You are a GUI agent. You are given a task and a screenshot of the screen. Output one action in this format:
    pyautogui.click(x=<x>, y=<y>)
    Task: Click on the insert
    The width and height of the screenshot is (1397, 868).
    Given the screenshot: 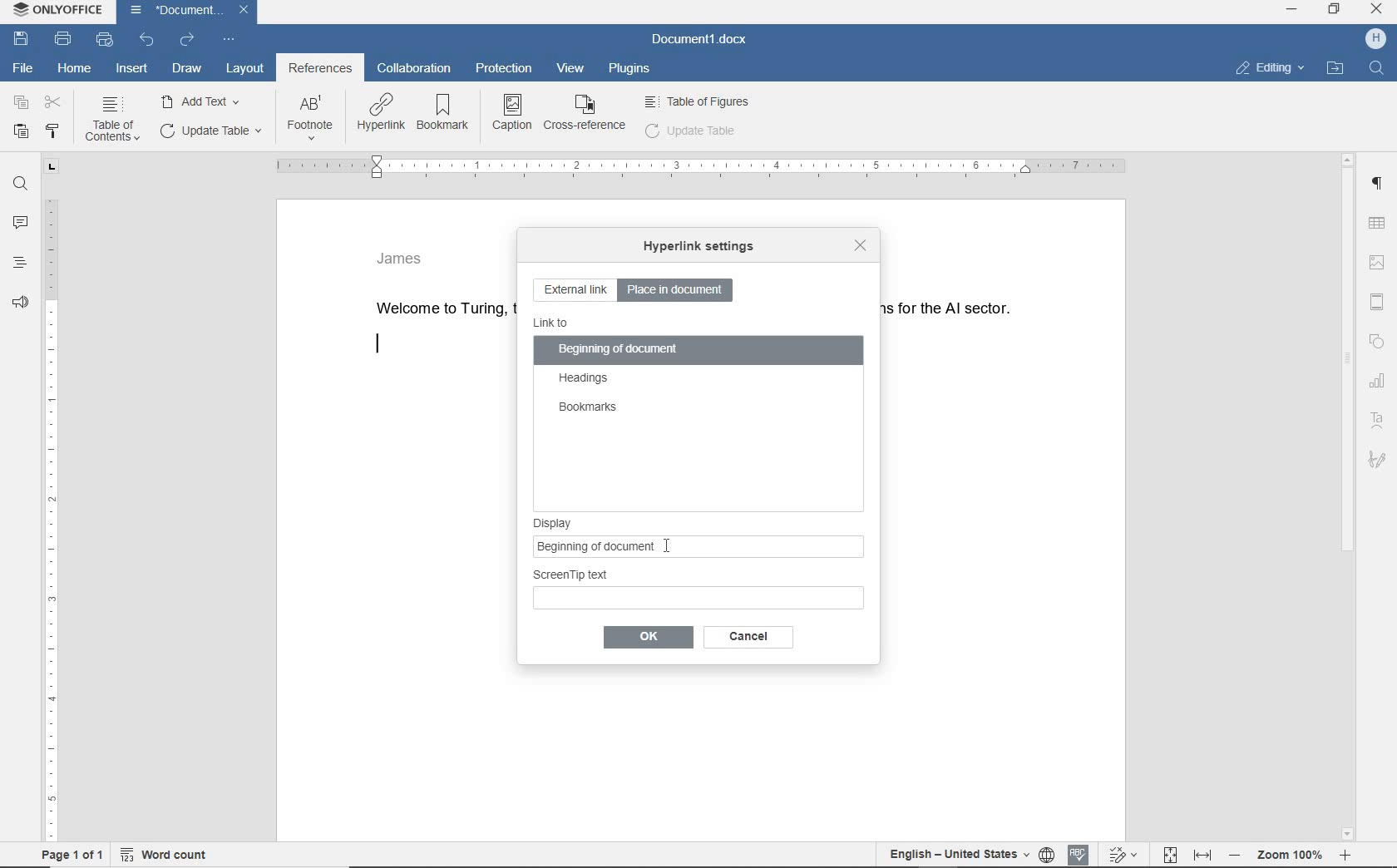 What is the action you would take?
    pyautogui.click(x=132, y=70)
    